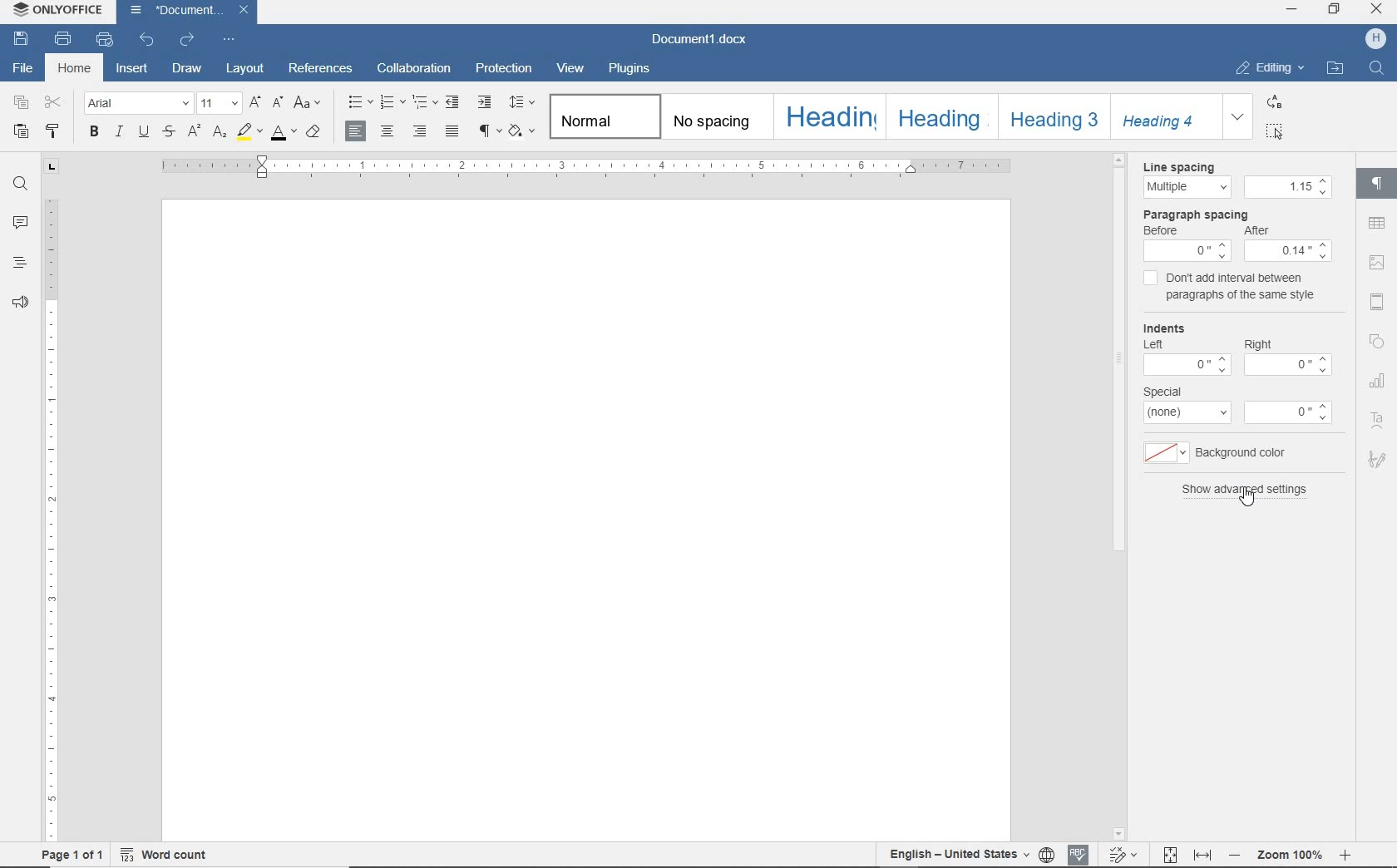 The height and width of the screenshot is (868, 1397). What do you see at coordinates (357, 132) in the screenshot?
I see `align left` at bounding box center [357, 132].